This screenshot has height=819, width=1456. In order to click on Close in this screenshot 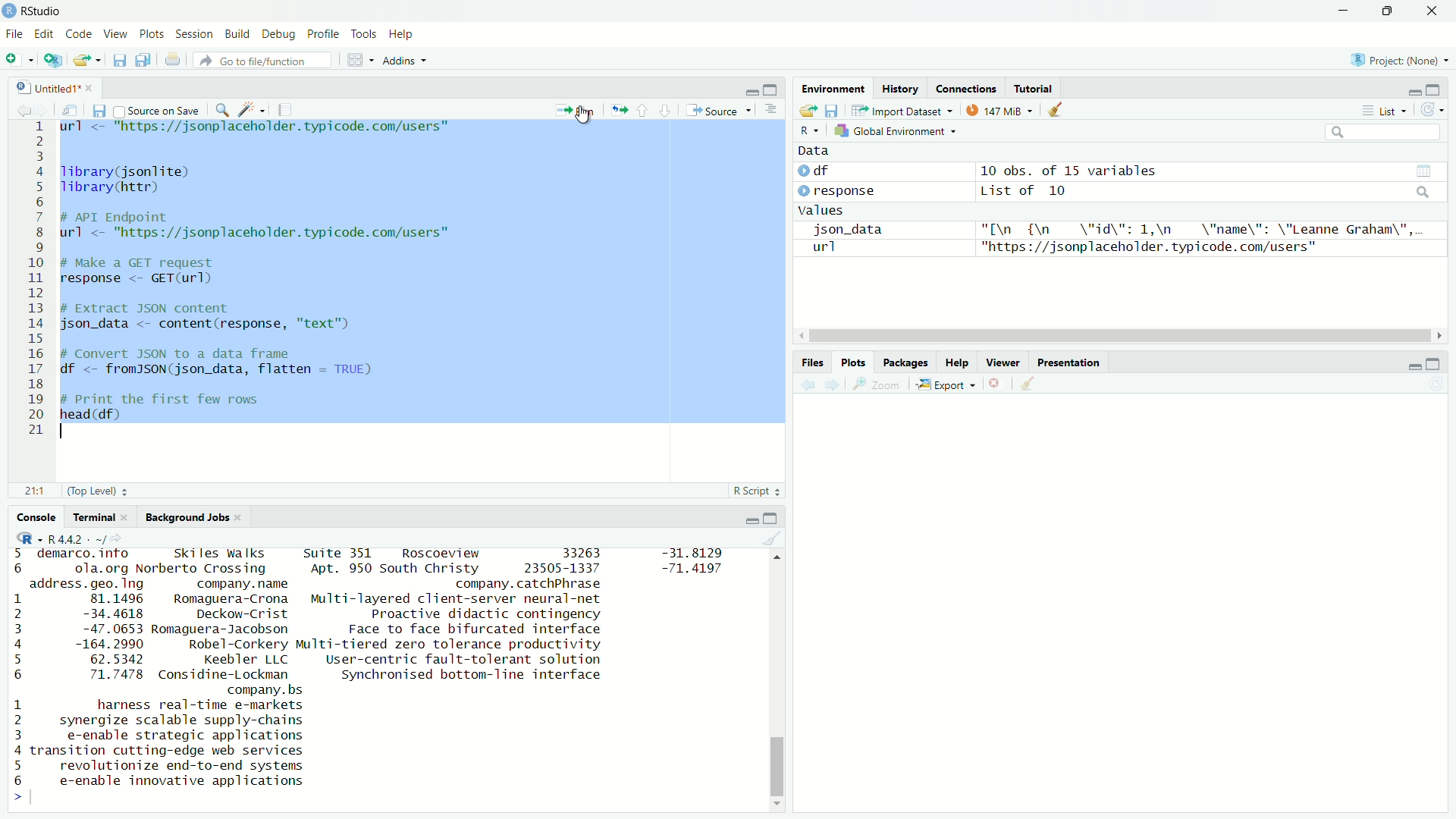, I will do `click(1434, 11)`.